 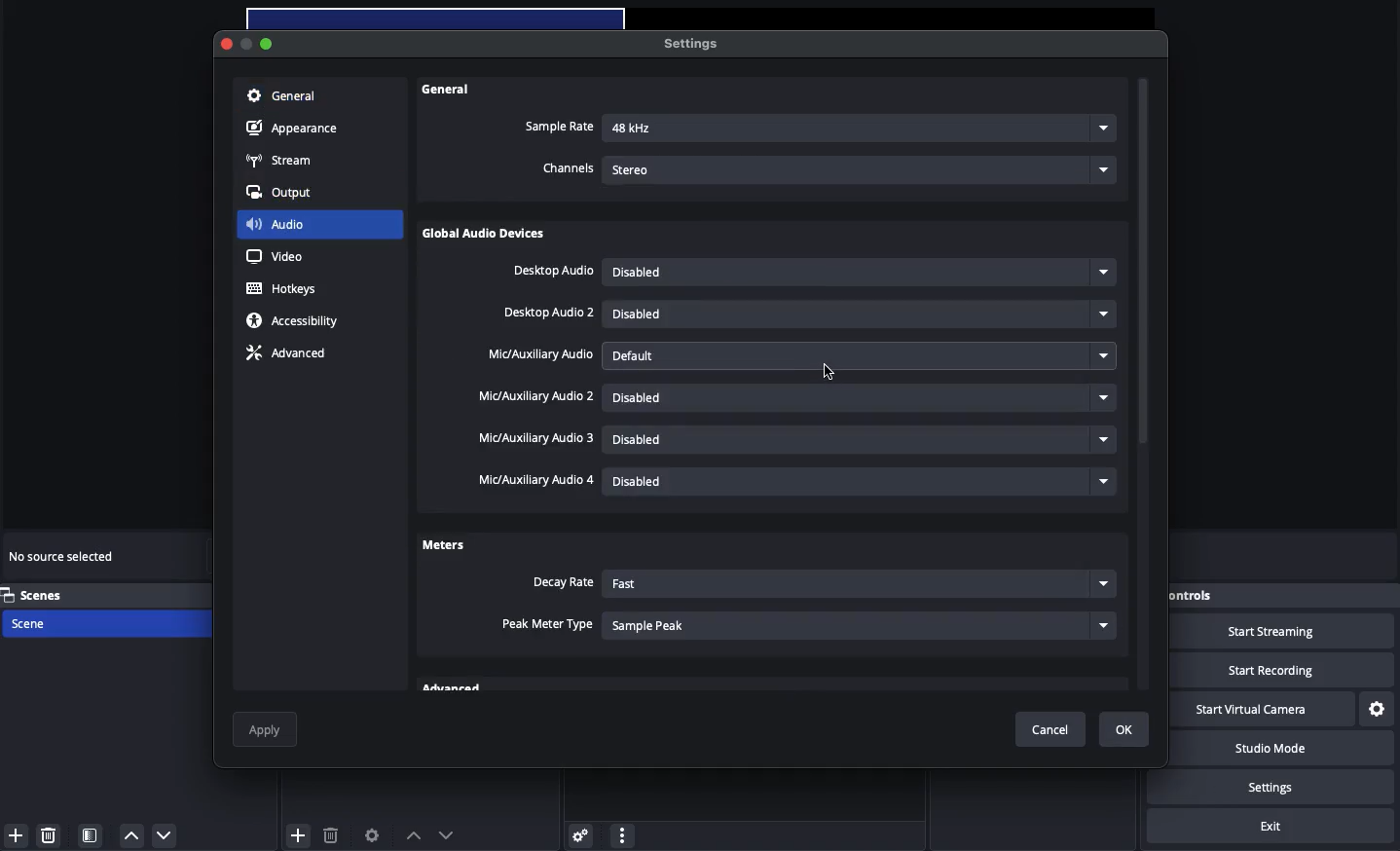 I want to click on Cancel, so click(x=1055, y=730).